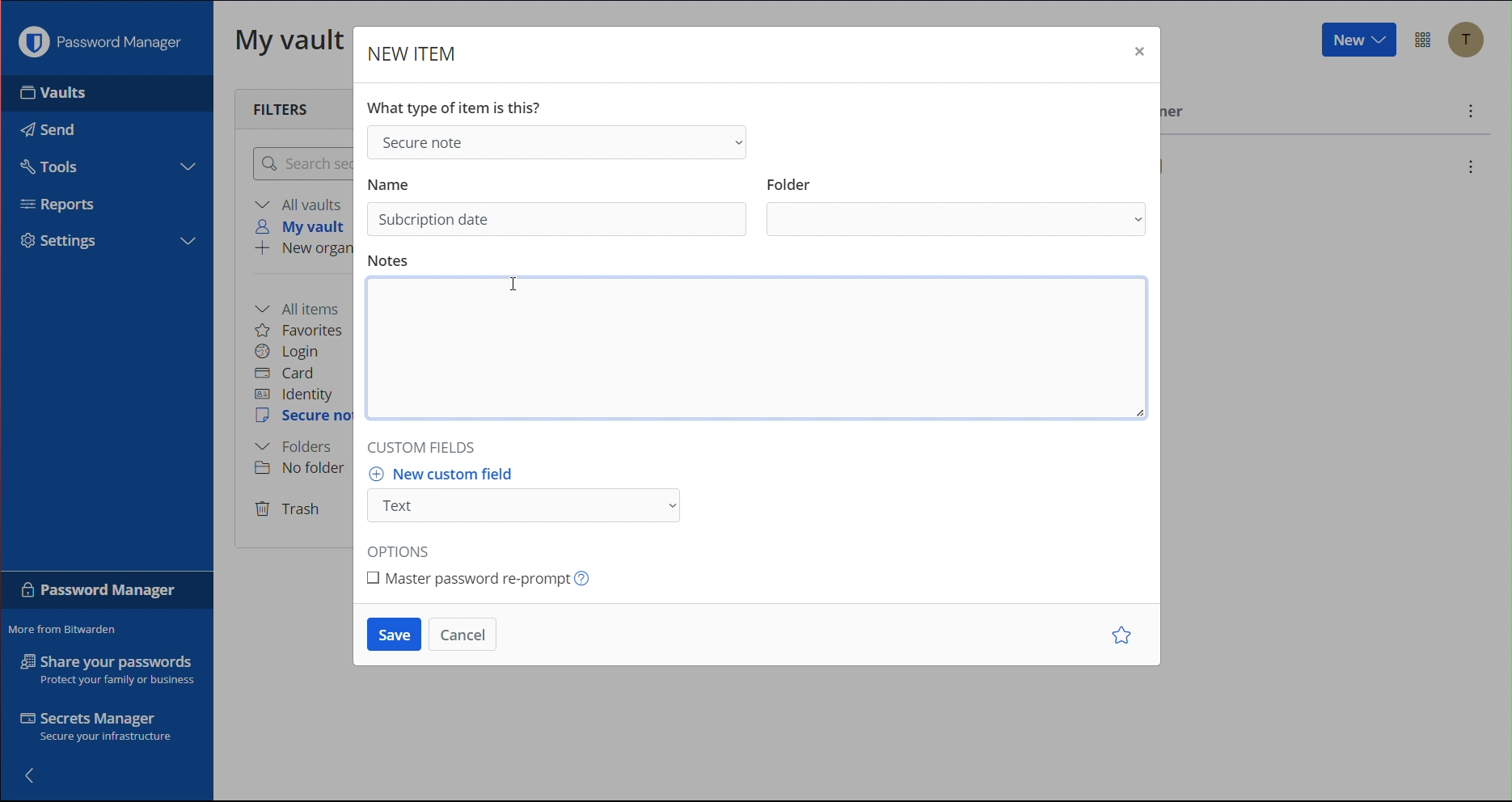  Describe the element at coordinates (300, 330) in the screenshot. I see `Favorites` at that location.